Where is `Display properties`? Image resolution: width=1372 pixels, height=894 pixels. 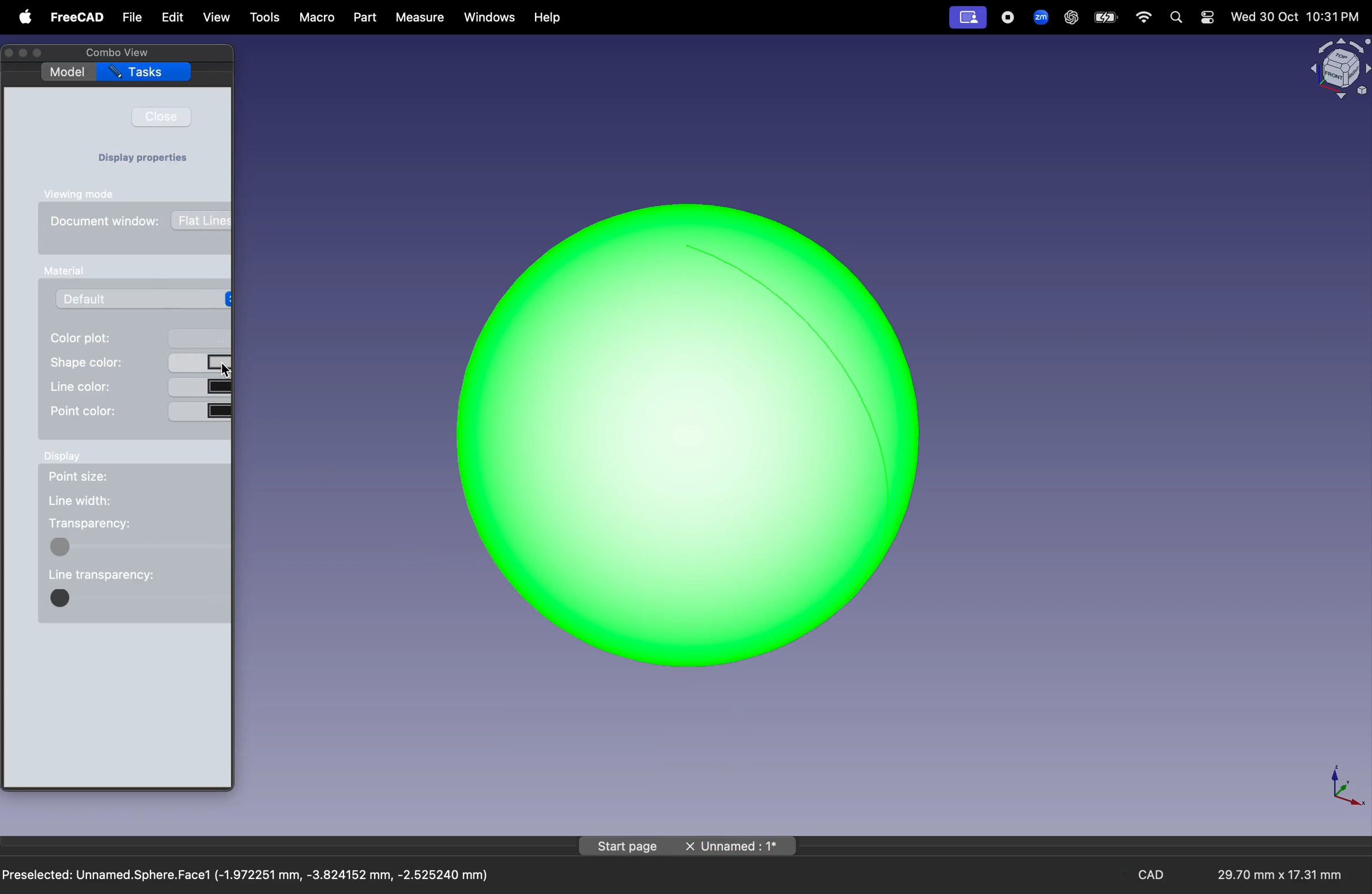
Display properties is located at coordinates (149, 159).